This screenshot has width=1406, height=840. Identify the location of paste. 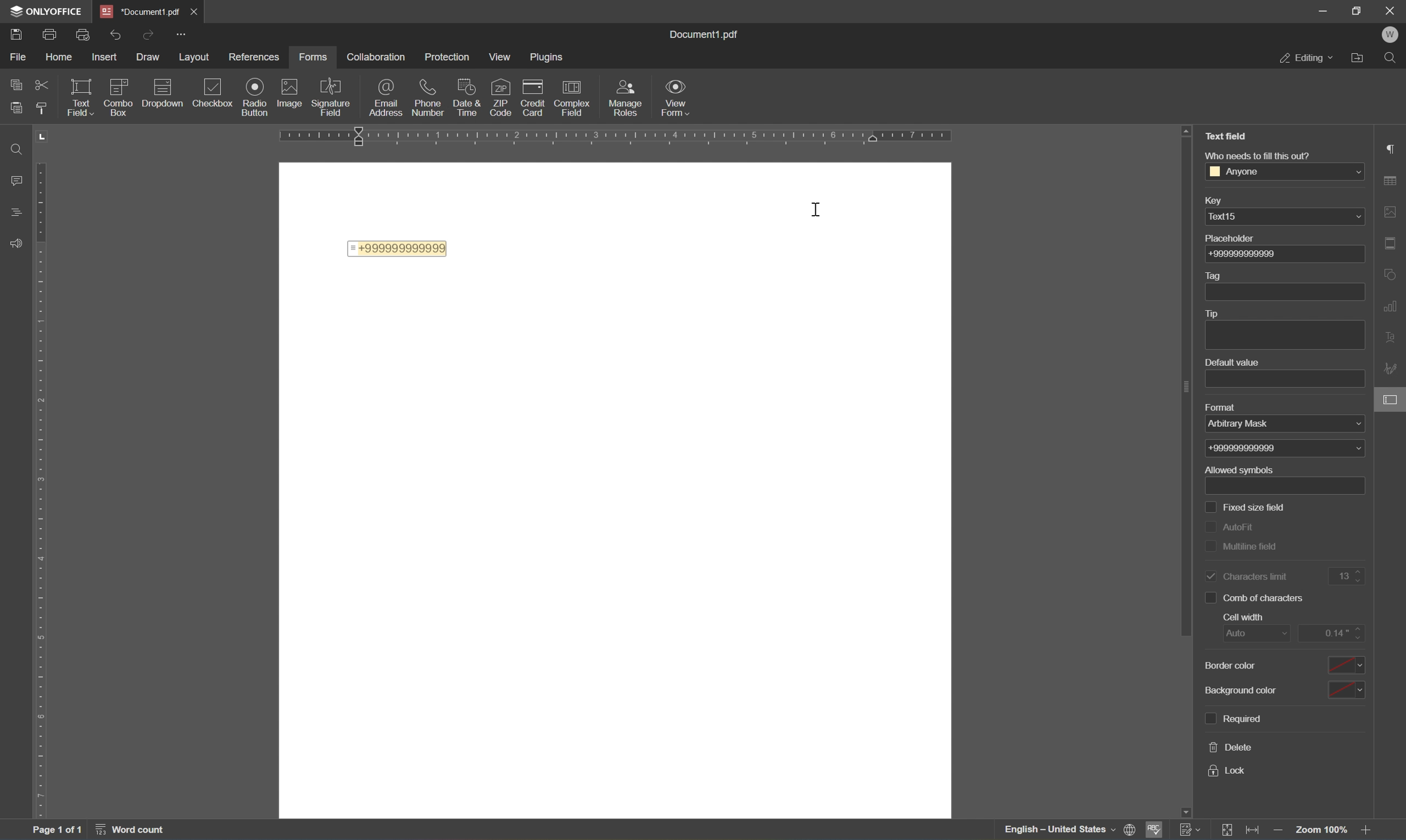
(17, 109).